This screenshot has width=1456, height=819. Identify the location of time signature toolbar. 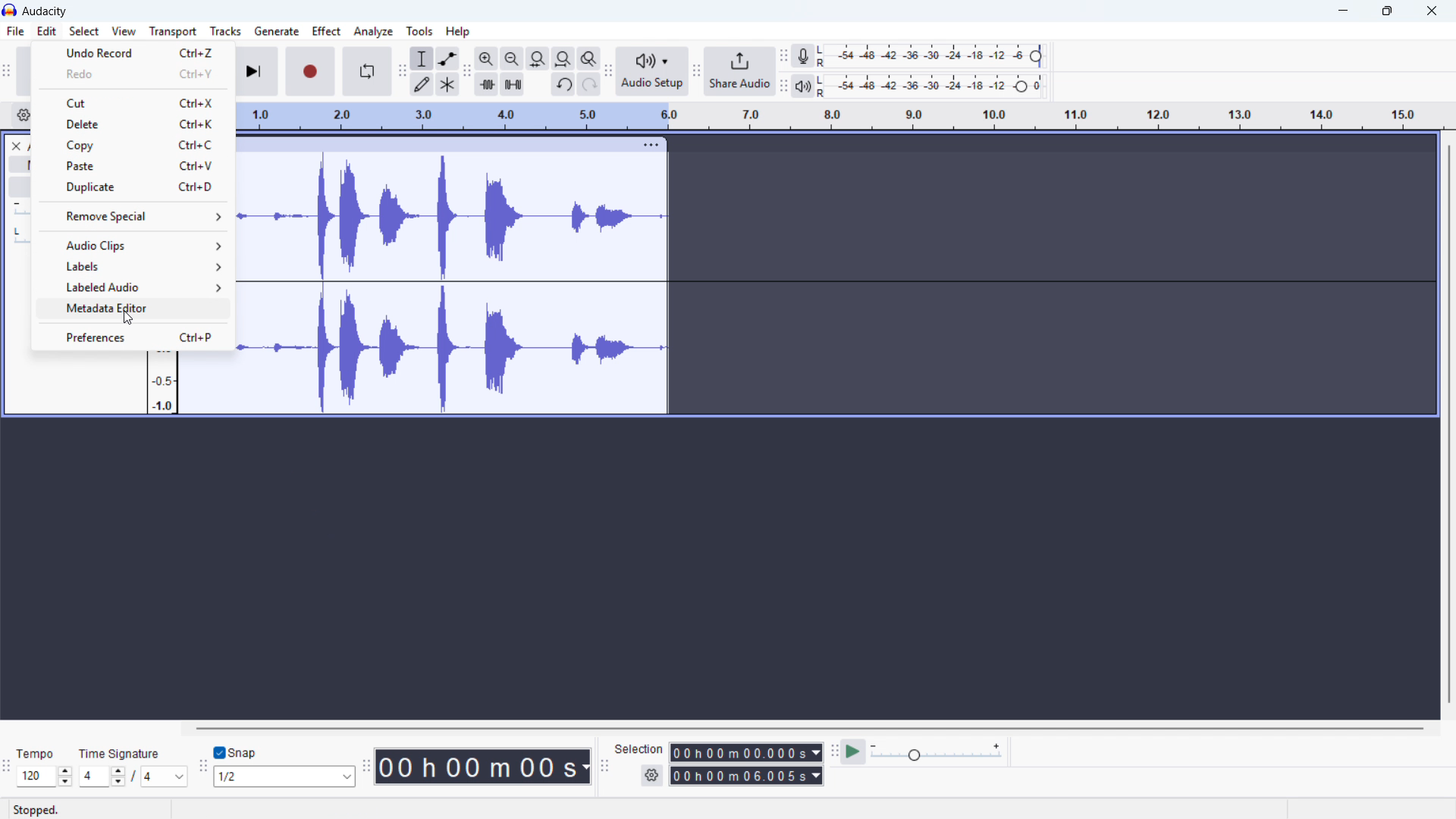
(8, 766).